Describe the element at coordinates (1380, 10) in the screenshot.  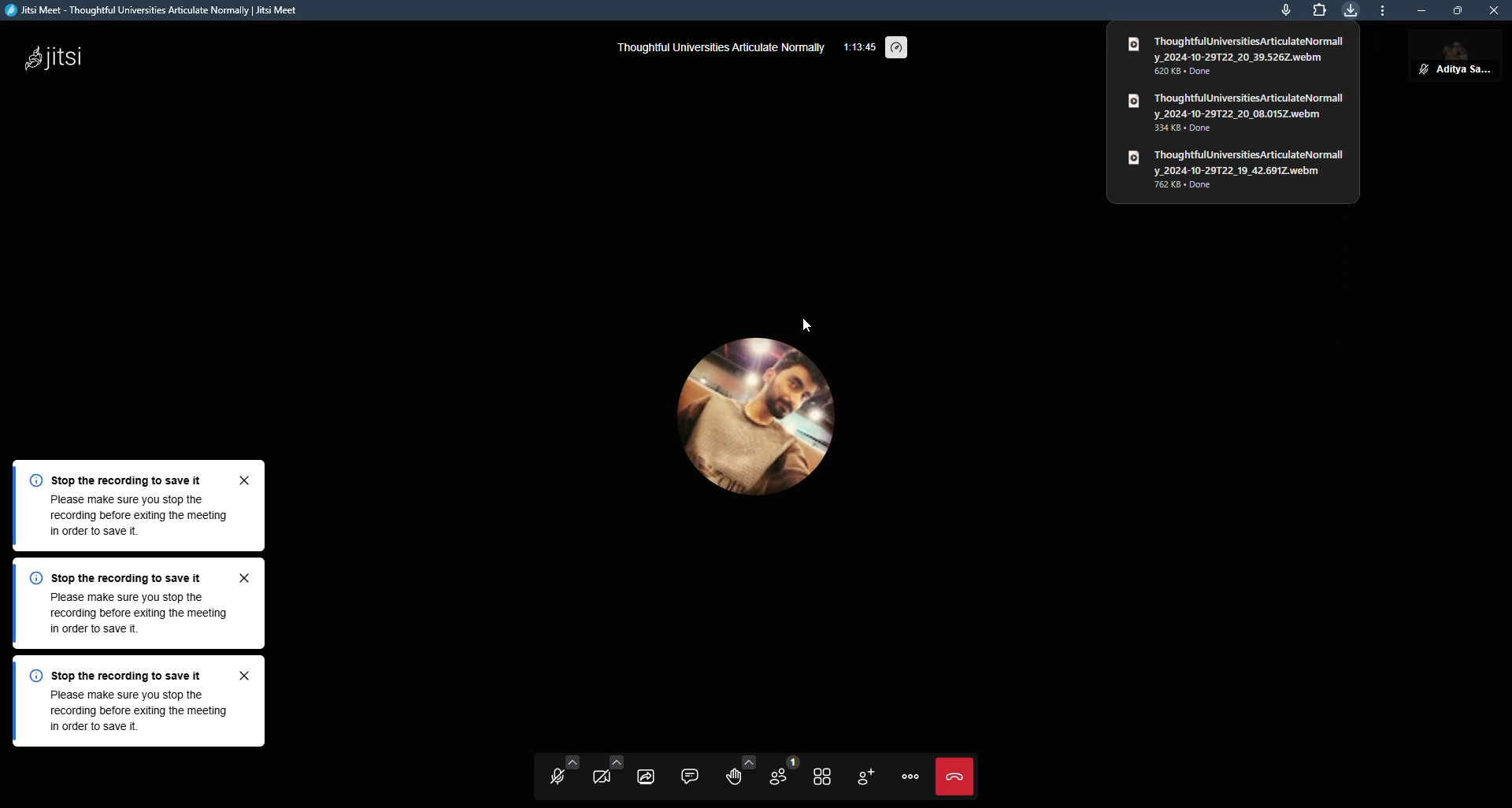
I see `minimize` at that location.